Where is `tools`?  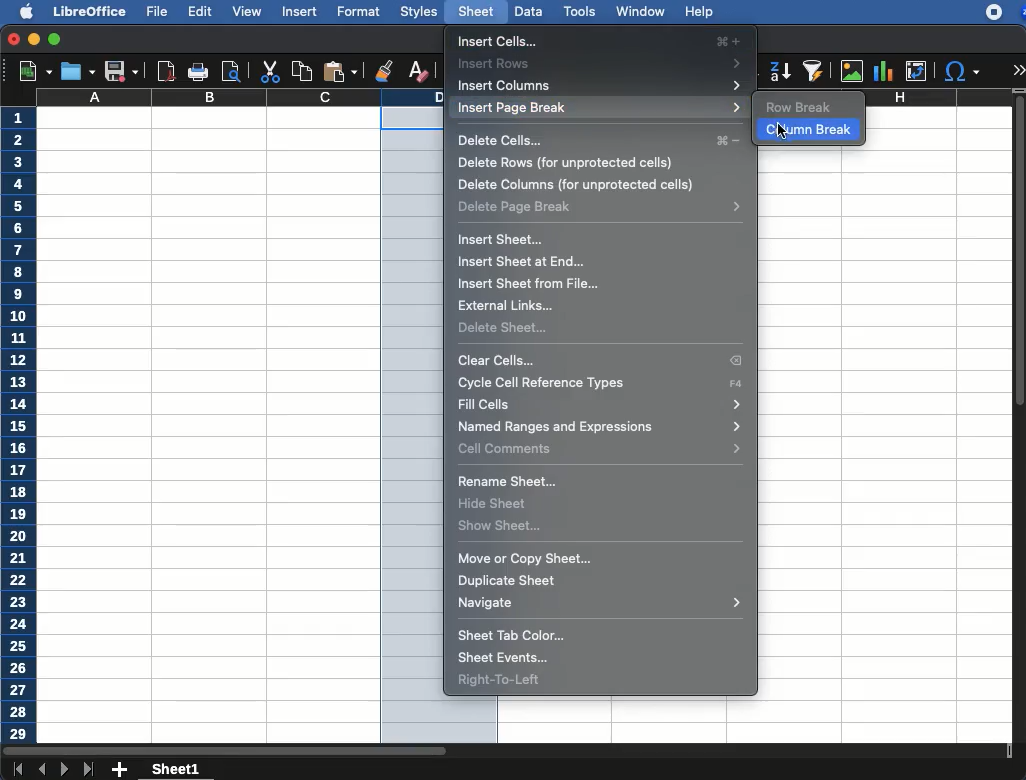
tools is located at coordinates (578, 10).